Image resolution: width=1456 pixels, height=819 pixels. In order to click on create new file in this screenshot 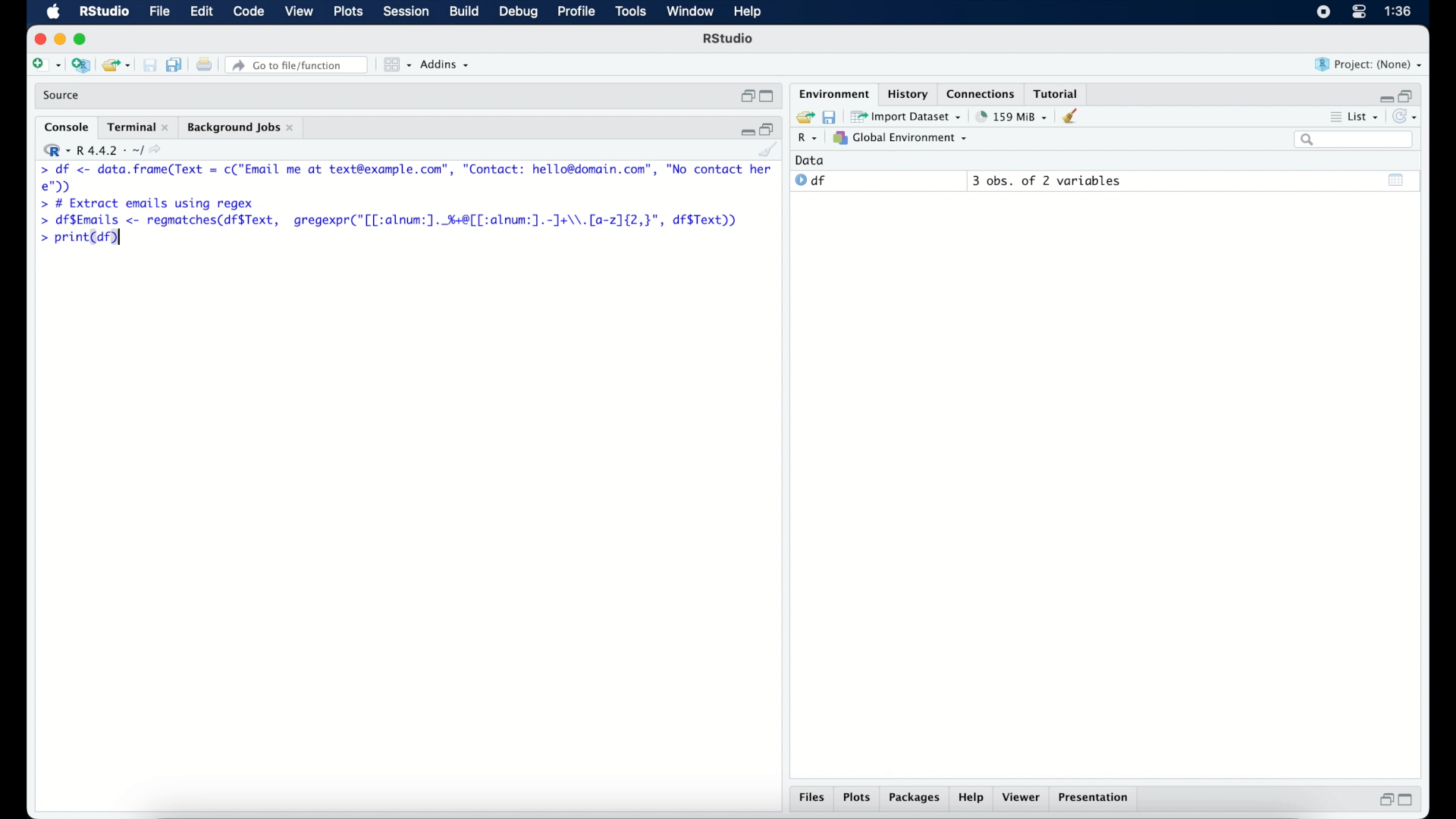, I will do `click(45, 65)`.